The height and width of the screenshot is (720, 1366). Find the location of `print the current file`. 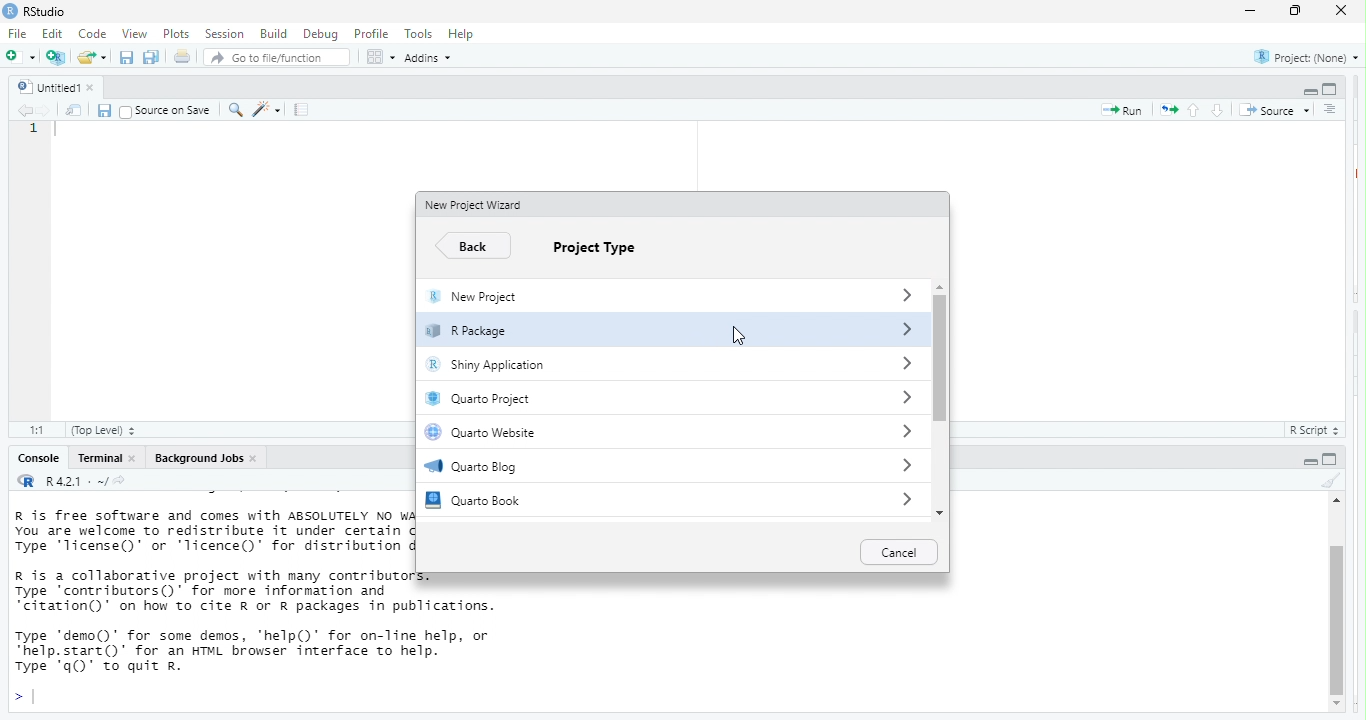

print the current file is located at coordinates (180, 57).